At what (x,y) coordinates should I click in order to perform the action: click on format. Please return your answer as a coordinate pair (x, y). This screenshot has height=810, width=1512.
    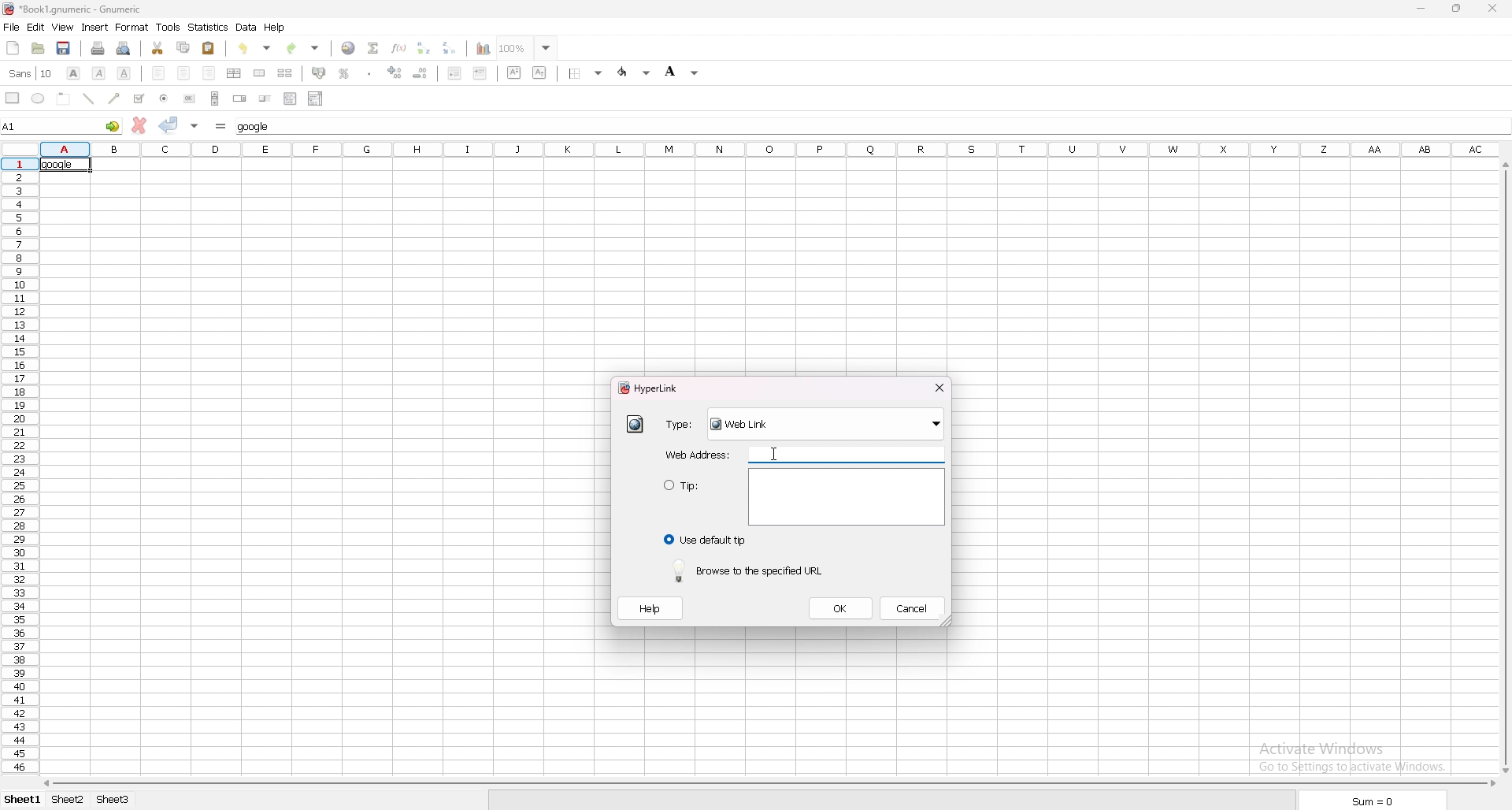
    Looking at the image, I should click on (132, 27).